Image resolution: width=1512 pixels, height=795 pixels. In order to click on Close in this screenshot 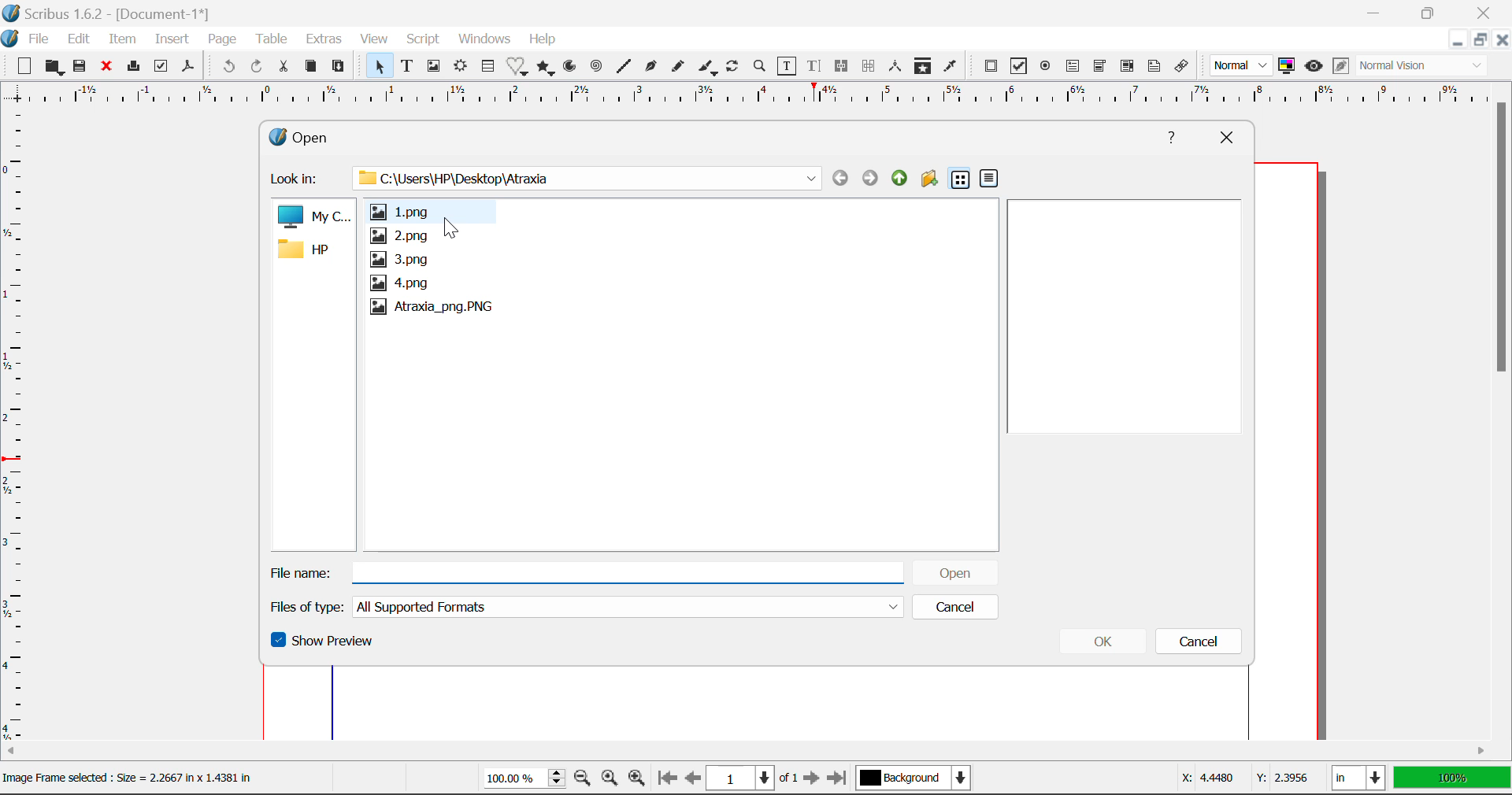, I will do `click(109, 68)`.